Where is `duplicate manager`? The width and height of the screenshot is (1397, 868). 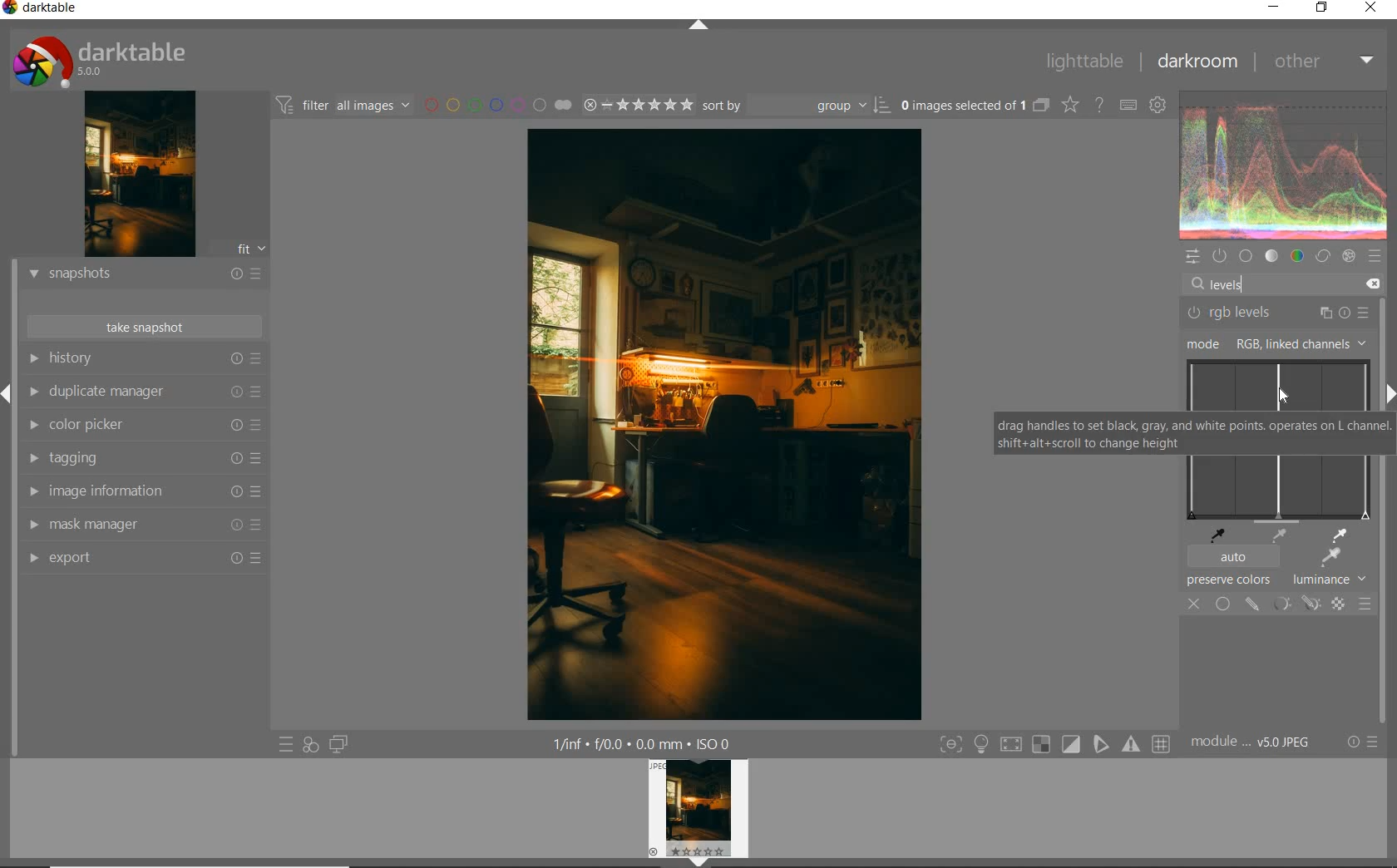 duplicate manager is located at coordinates (143, 392).